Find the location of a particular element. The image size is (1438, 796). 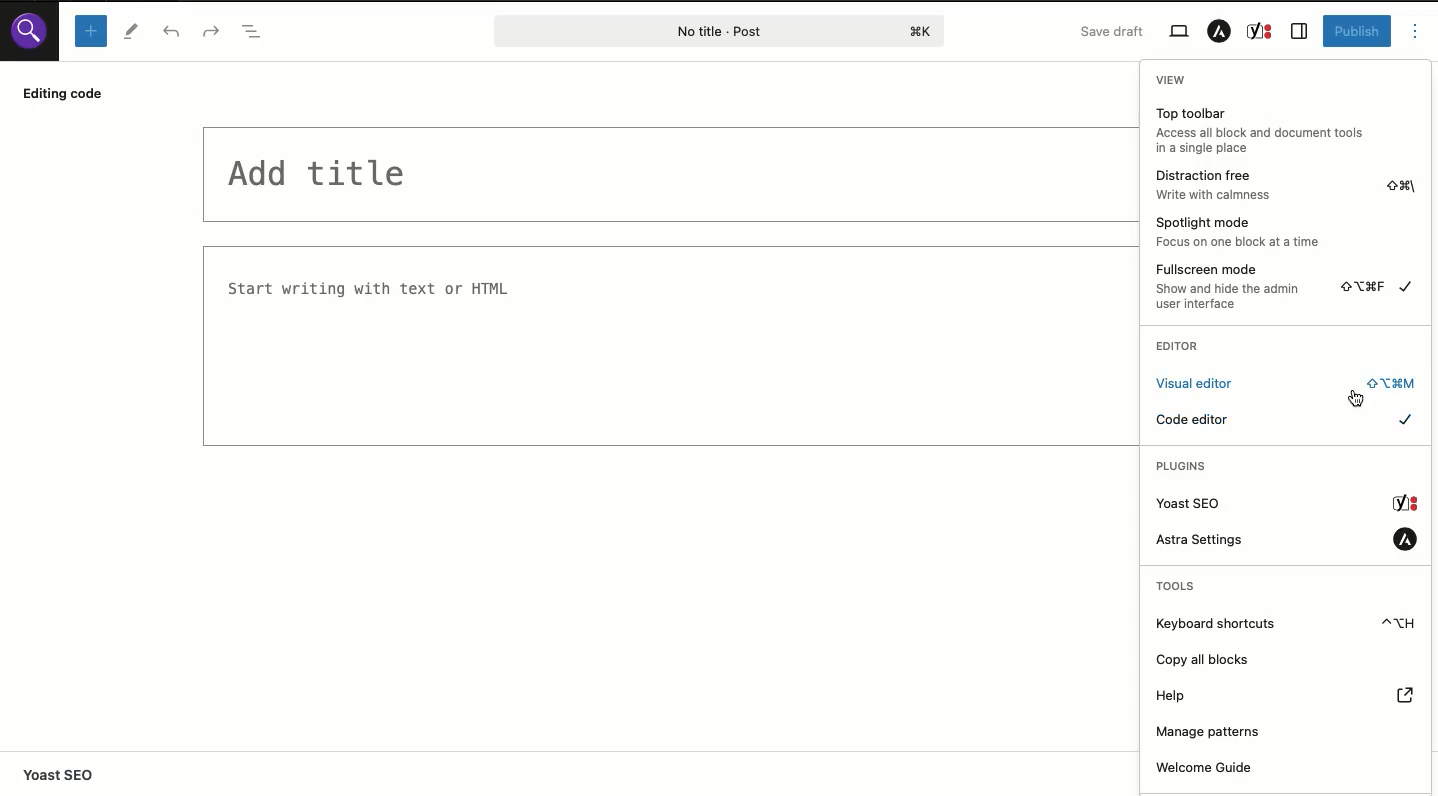

View is located at coordinates (1177, 32).